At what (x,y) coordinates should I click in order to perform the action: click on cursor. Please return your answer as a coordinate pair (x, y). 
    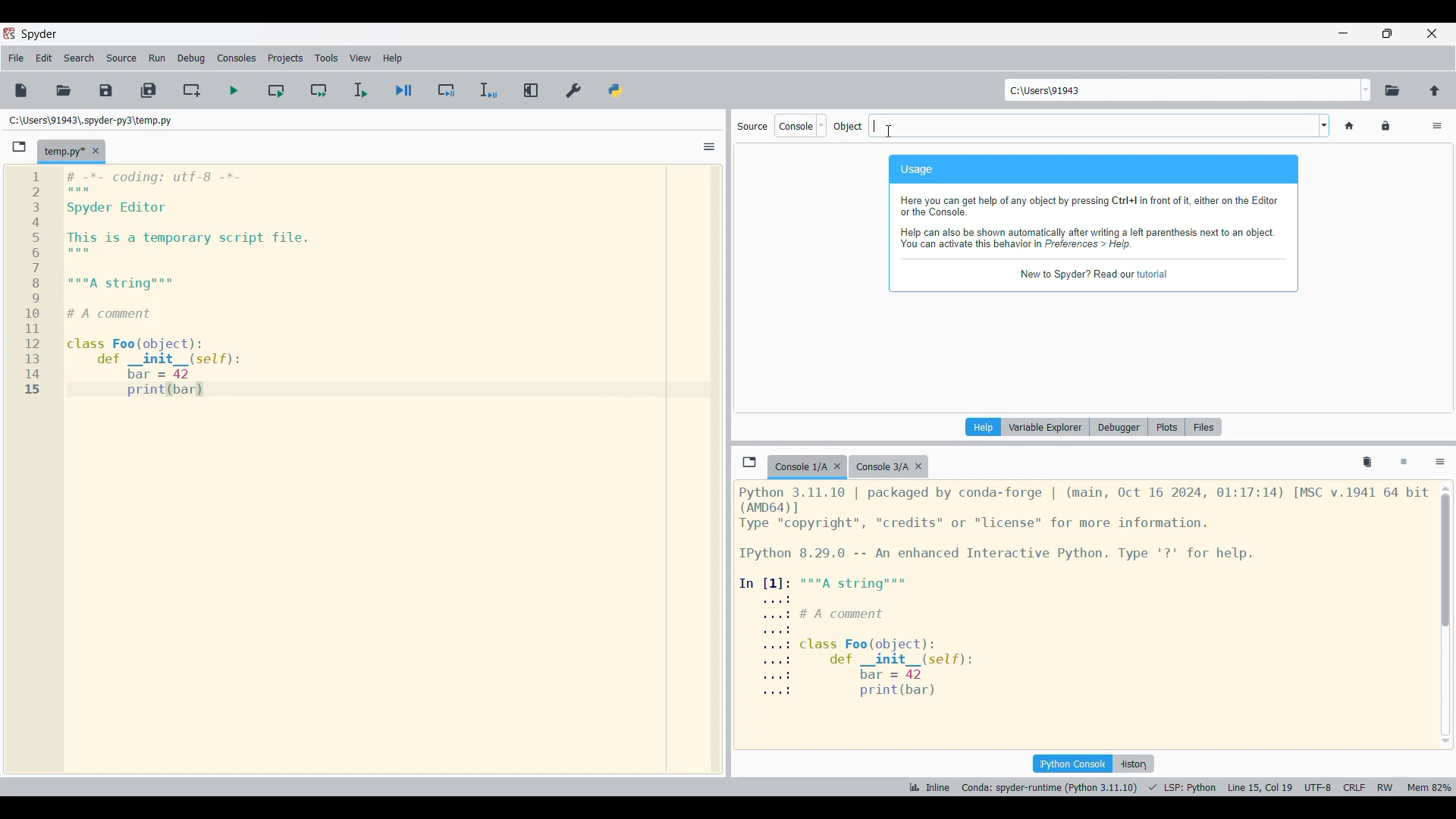
    Looking at the image, I should click on (893, 127).